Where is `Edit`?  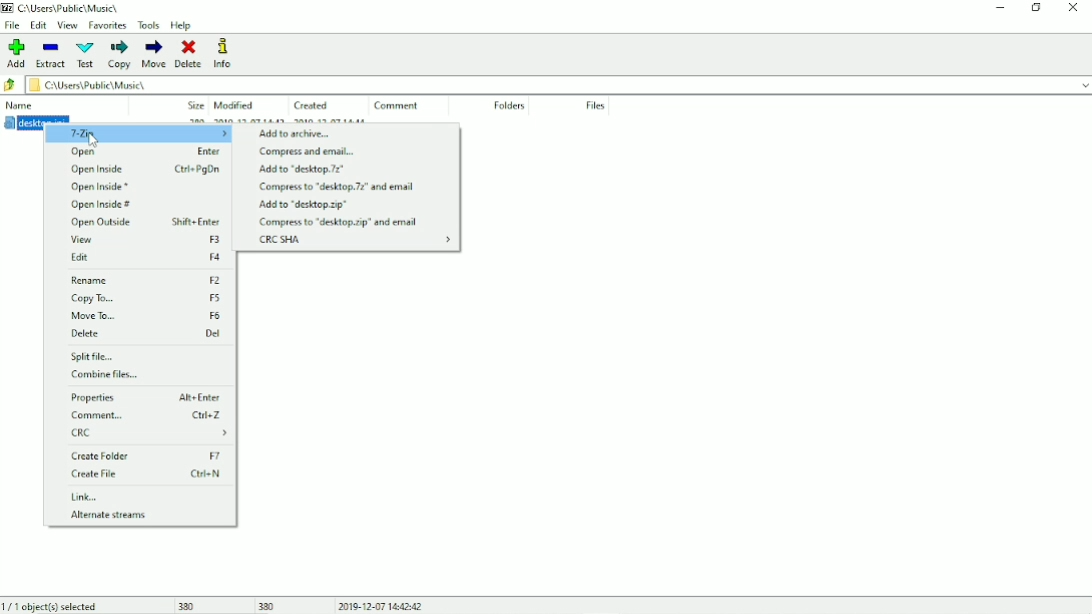 Edit is located at coordinates (146, 258).